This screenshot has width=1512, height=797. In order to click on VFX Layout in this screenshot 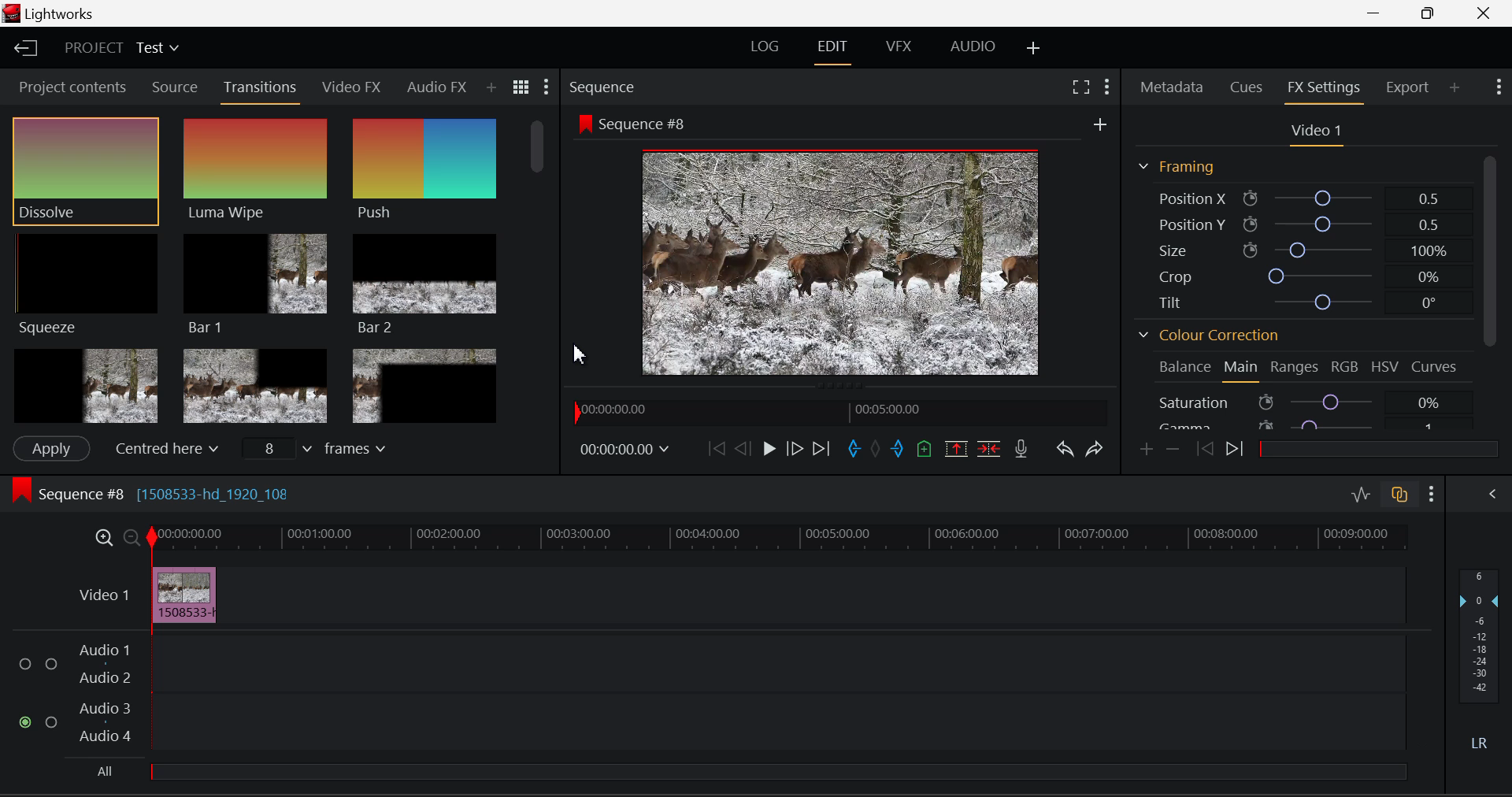, I will do `click(896, 50)`.